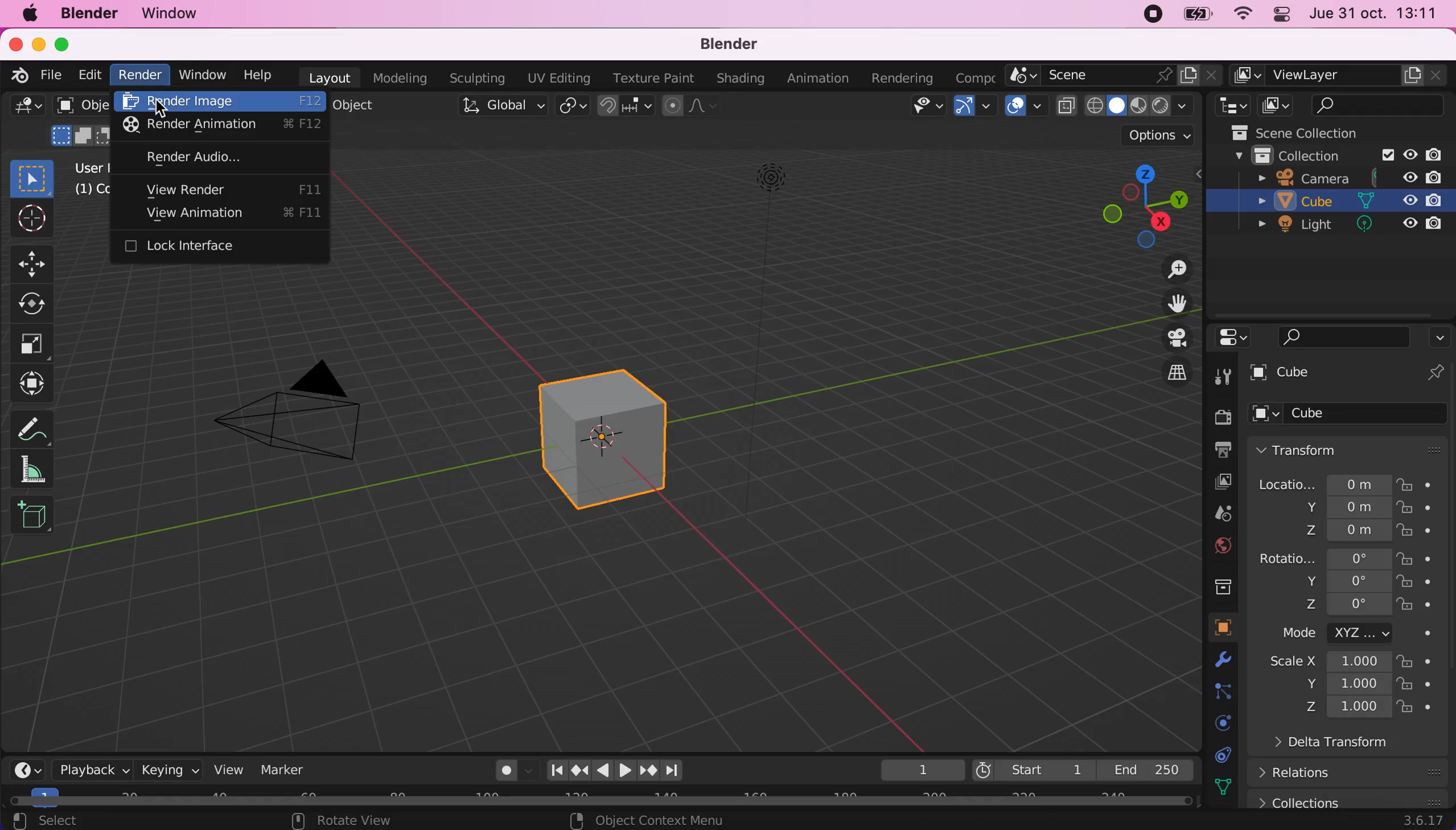  What do you see at coordinates (227, 214) in the screenshot?
I see `view animation` at bounding box center [227, 214].